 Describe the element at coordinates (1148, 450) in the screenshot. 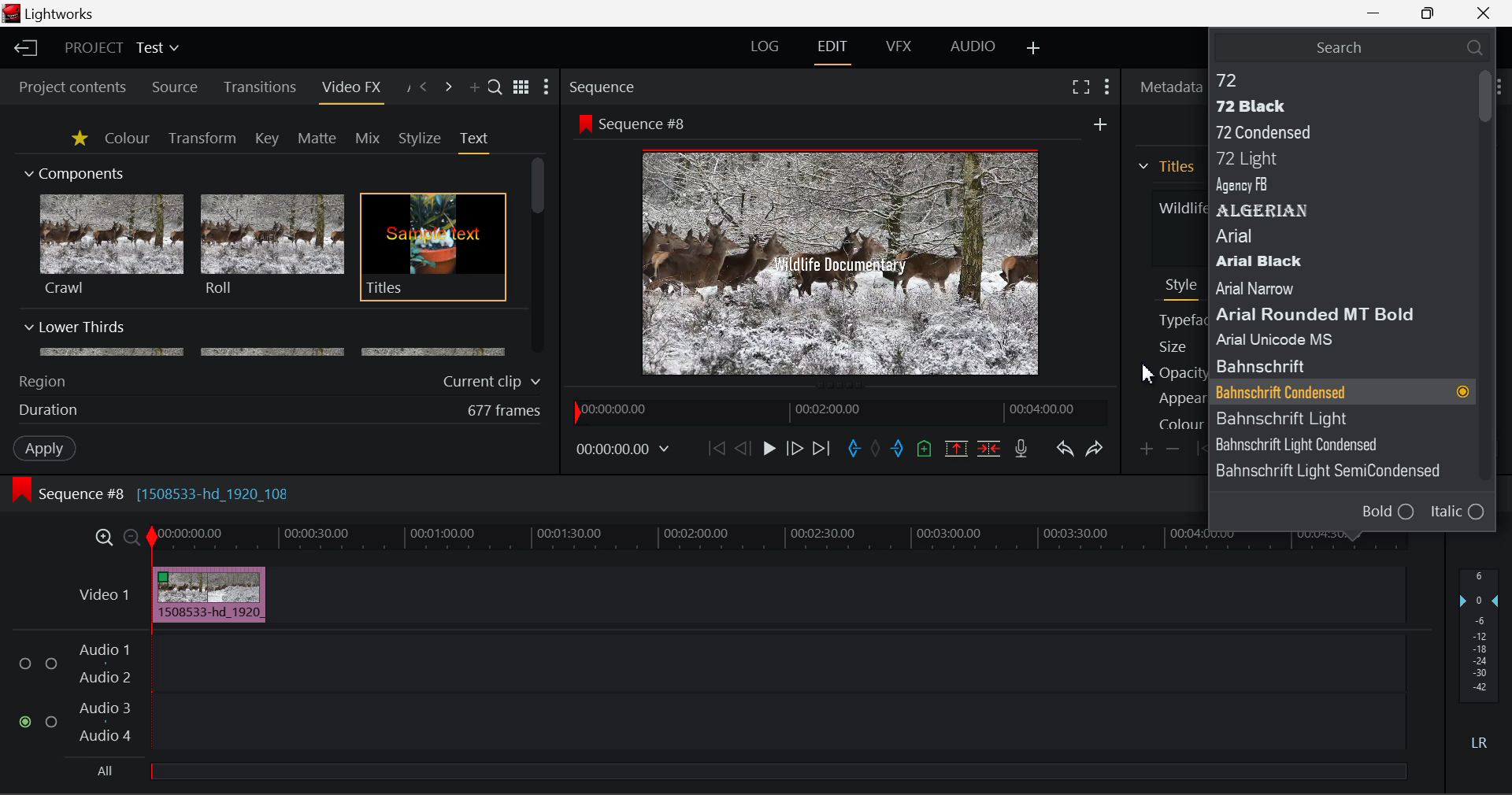

I see `Add keyframe` at that location.